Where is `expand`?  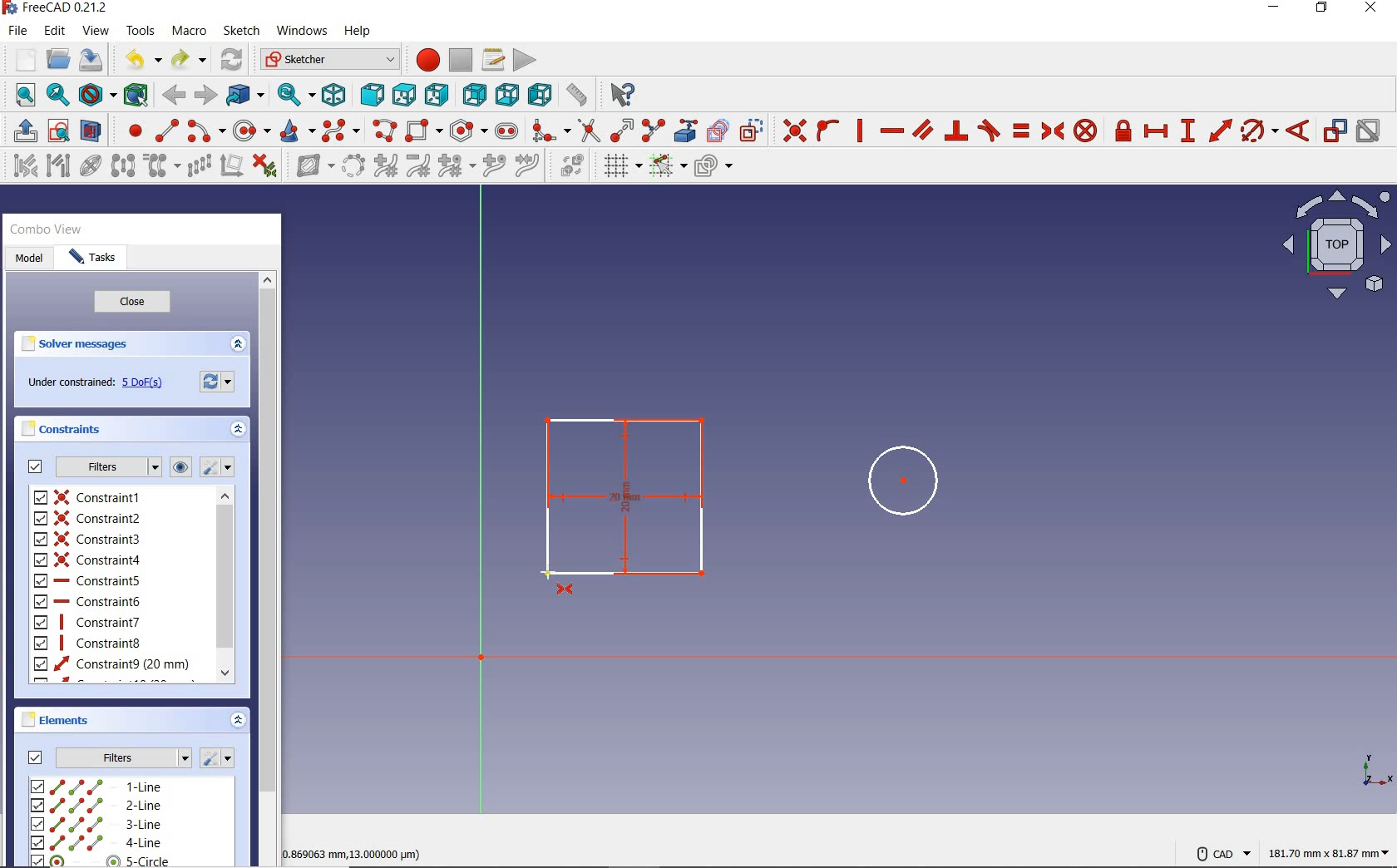
expand is located at coordinates (241, 345).